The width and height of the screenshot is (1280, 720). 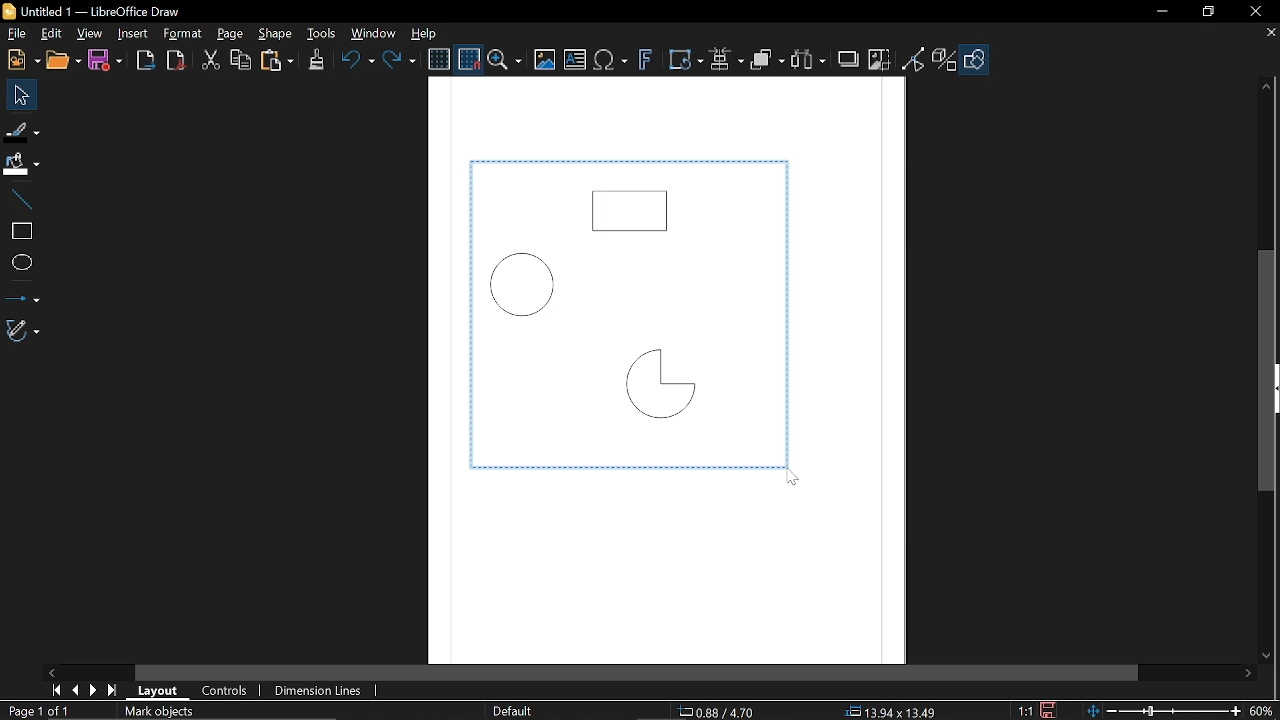 What do you see at coordinates (356, 62) in the screenshot?
I see `Undo` at bounding box center [356, 62].